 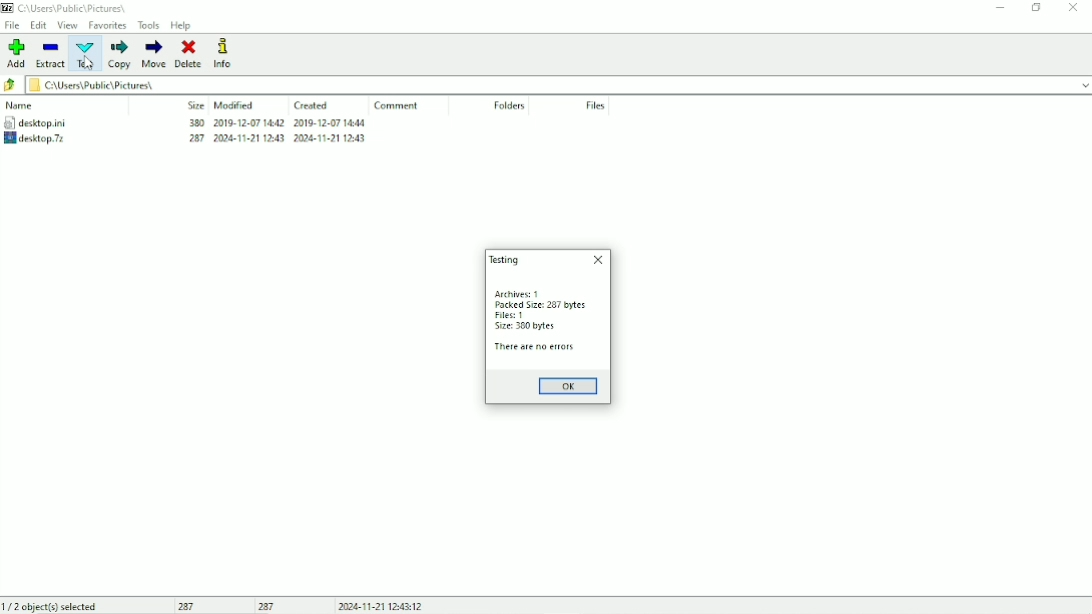 What do you see at coordinates (39, 25) in the screenshot?
I see `Edit` at bounding box center [39, 25].